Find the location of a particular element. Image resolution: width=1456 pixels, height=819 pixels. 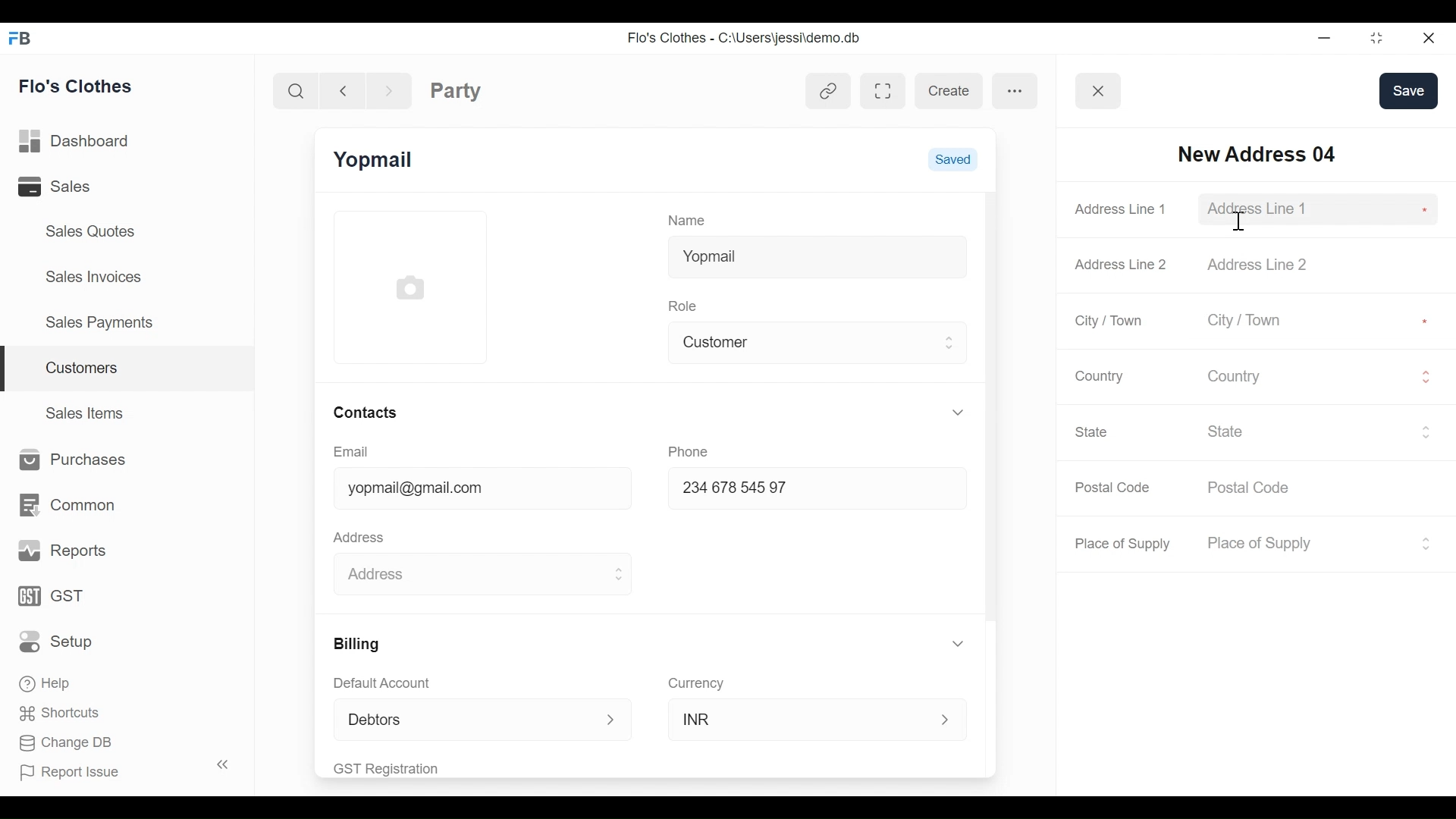

Email is located at coordinates (352, 452).